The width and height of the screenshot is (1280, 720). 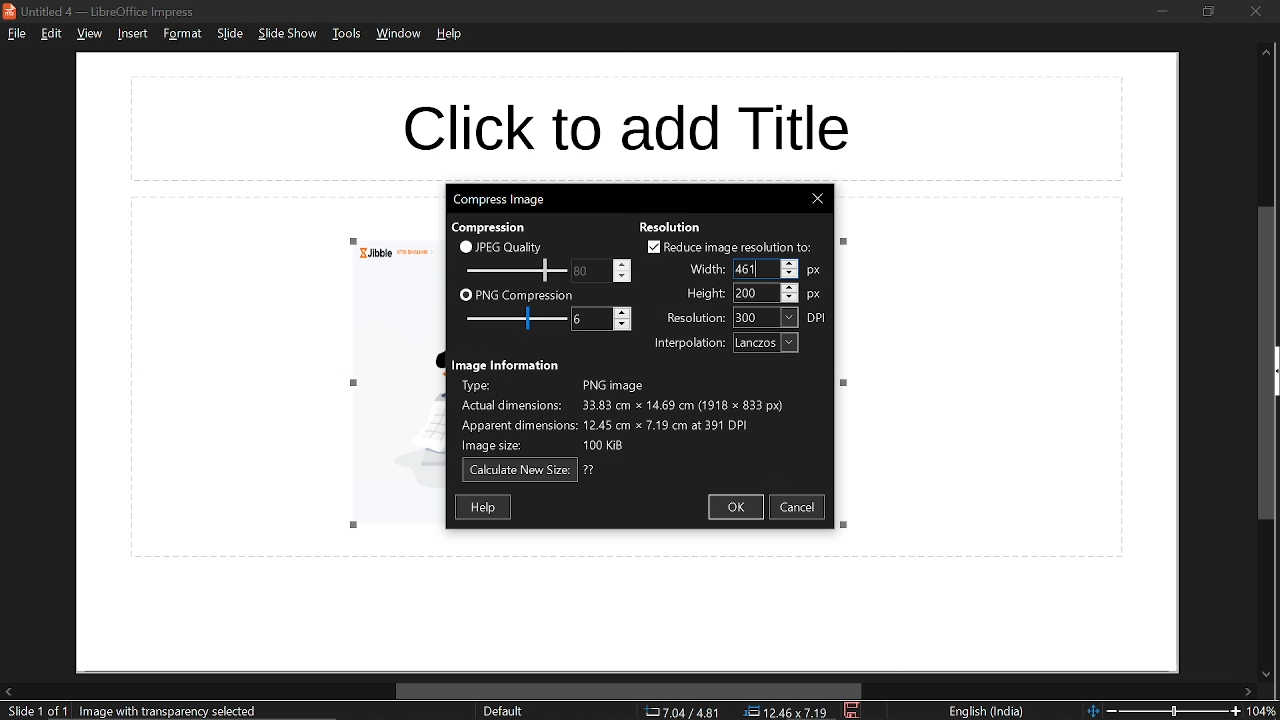 I want to click on view, so click(x=88, y=35).